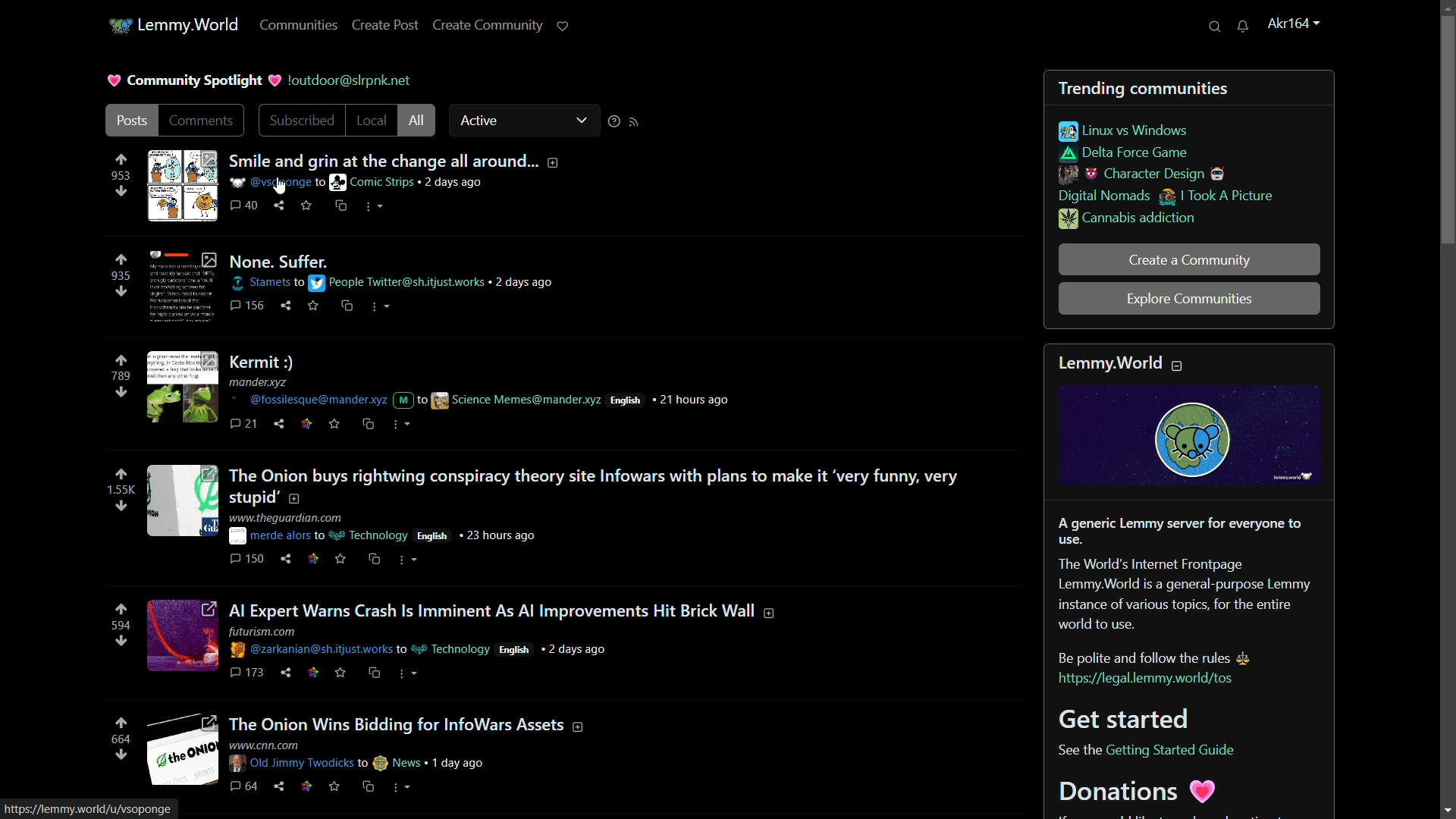 Image resolution: width=1456 pixels, height=819 pixels. Describe the element at coordinates (181, 287) in the screenshot. I see `image` at that location.